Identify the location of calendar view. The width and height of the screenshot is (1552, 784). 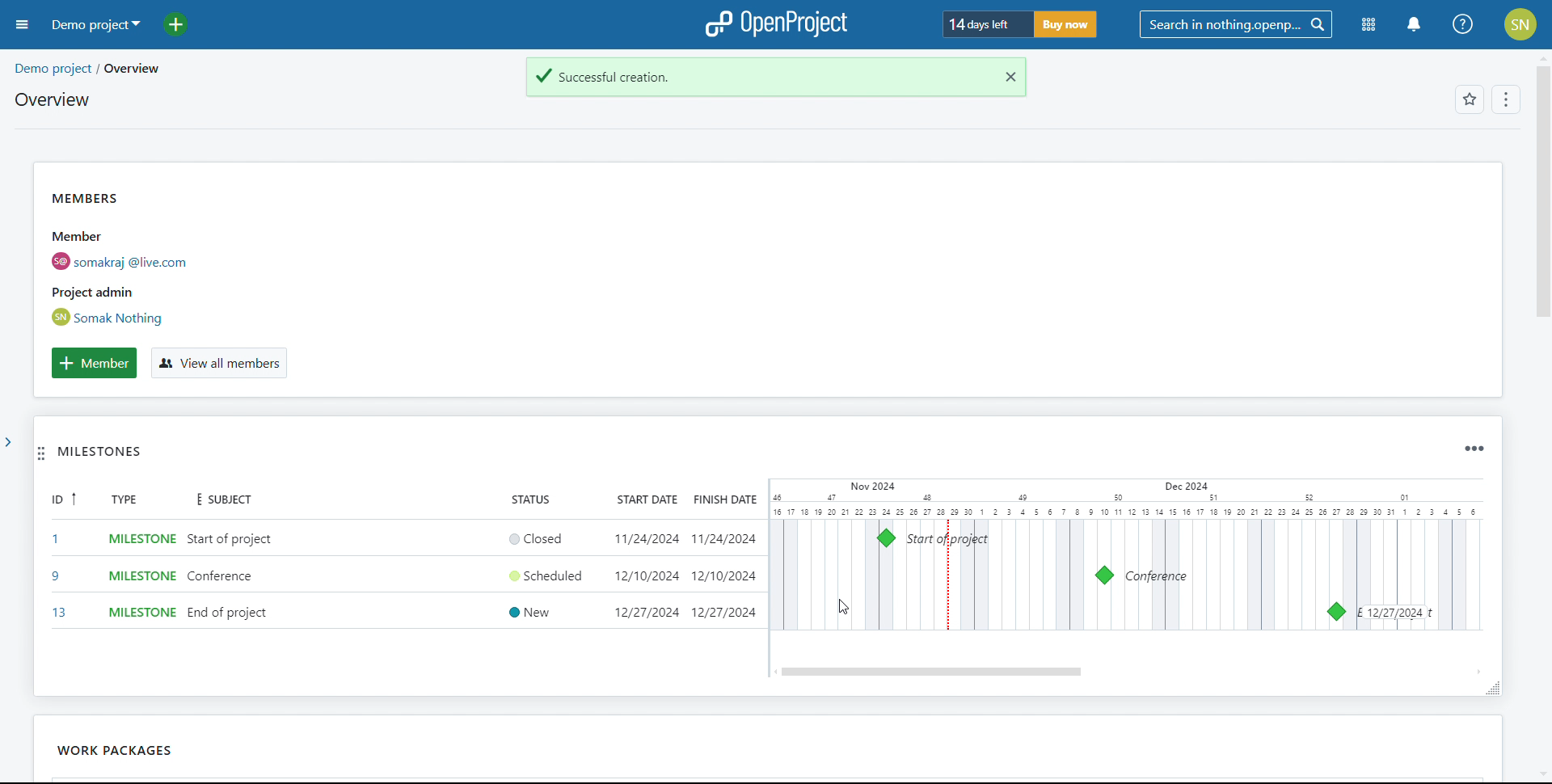
(1125, 554).